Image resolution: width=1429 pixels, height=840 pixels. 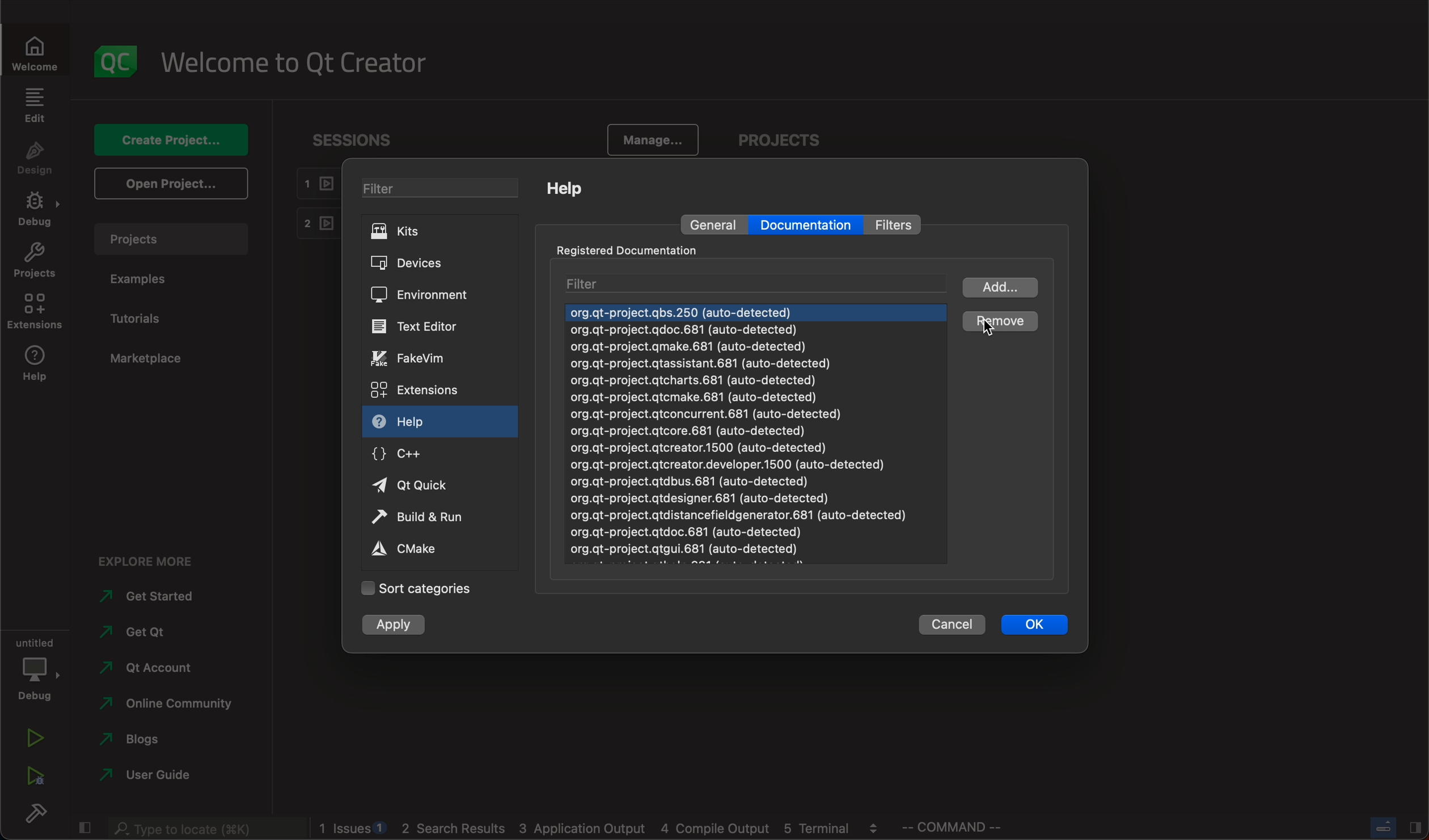 I want to click on create, so click(x=173, y=140).